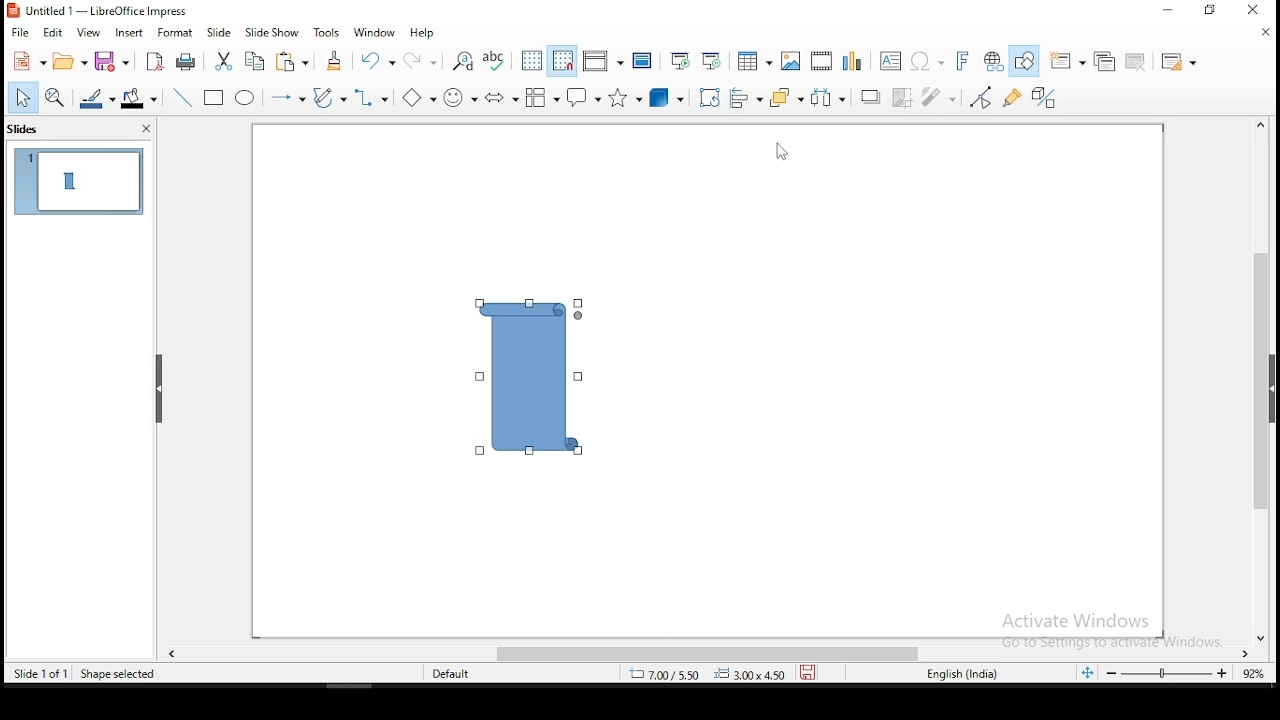 Image resolution: width=1280 pixels, height=720 pixels. What do you see at coordinates (274, 34) in the screenshot?
I see `slide show` at bounding box center [274, 34].